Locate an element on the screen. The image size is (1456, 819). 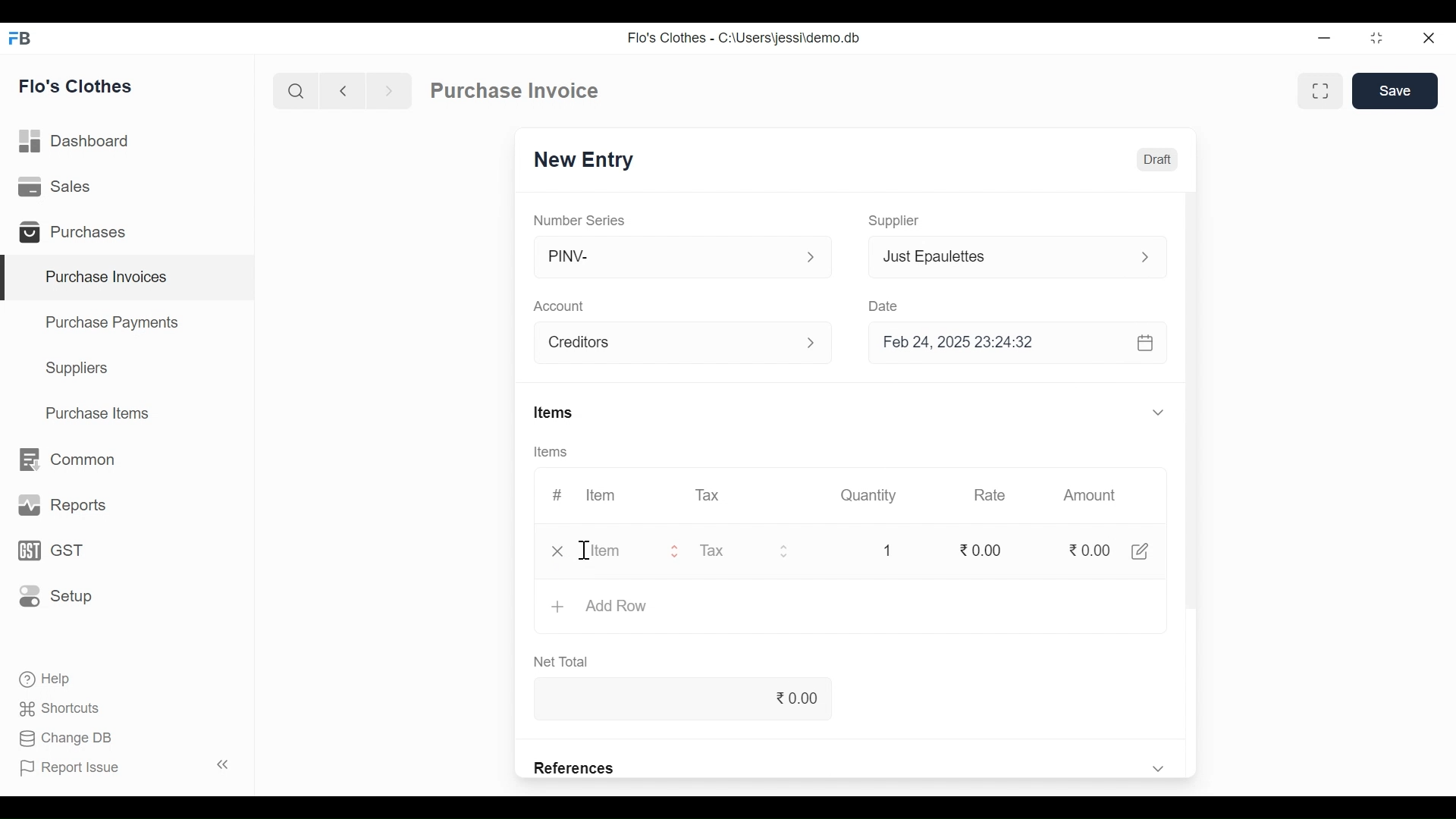
Account is located at coordinates (669, 342).